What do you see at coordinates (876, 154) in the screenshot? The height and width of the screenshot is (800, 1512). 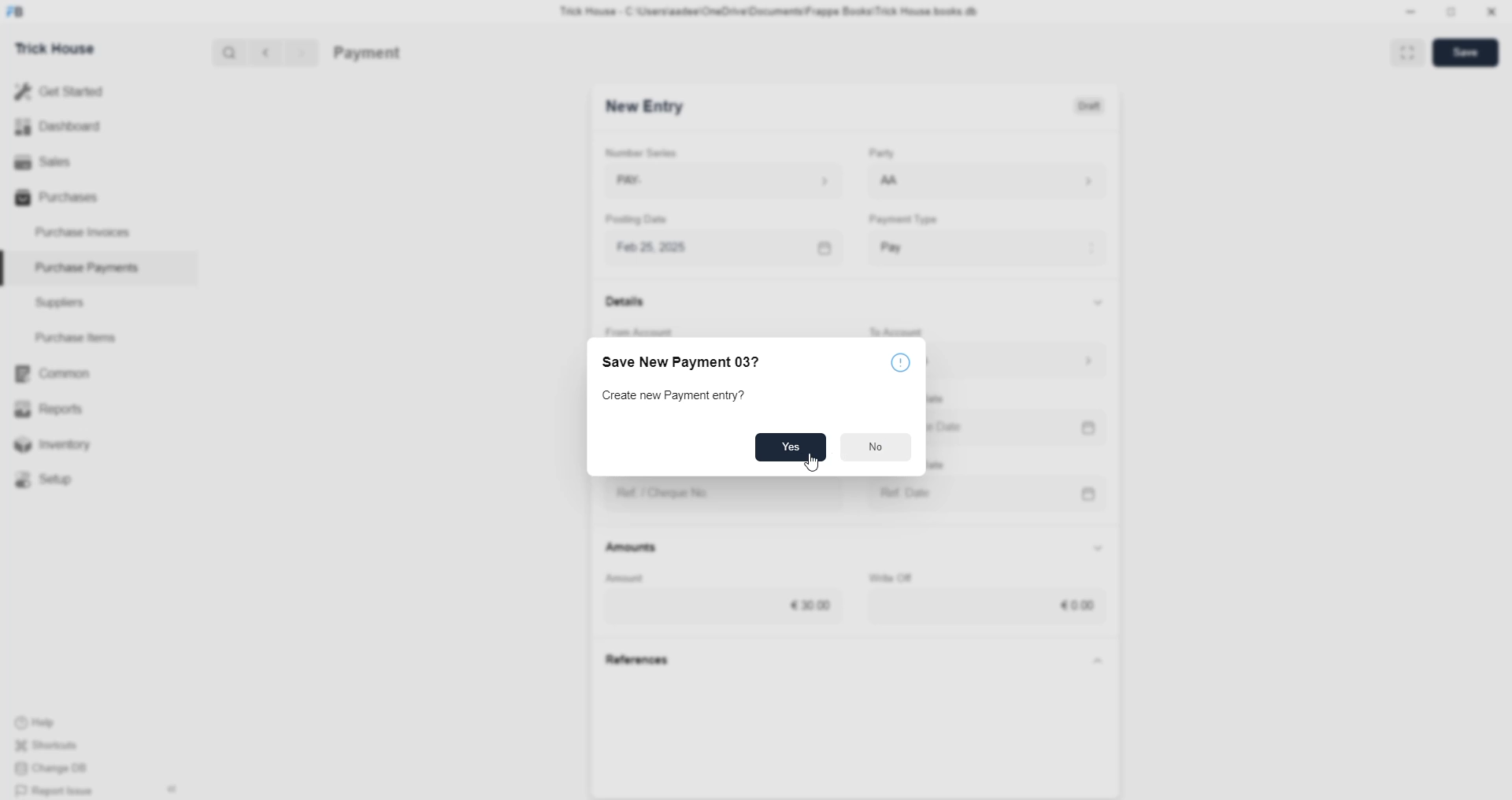 I see `Party` at bounding box center [876, 154].